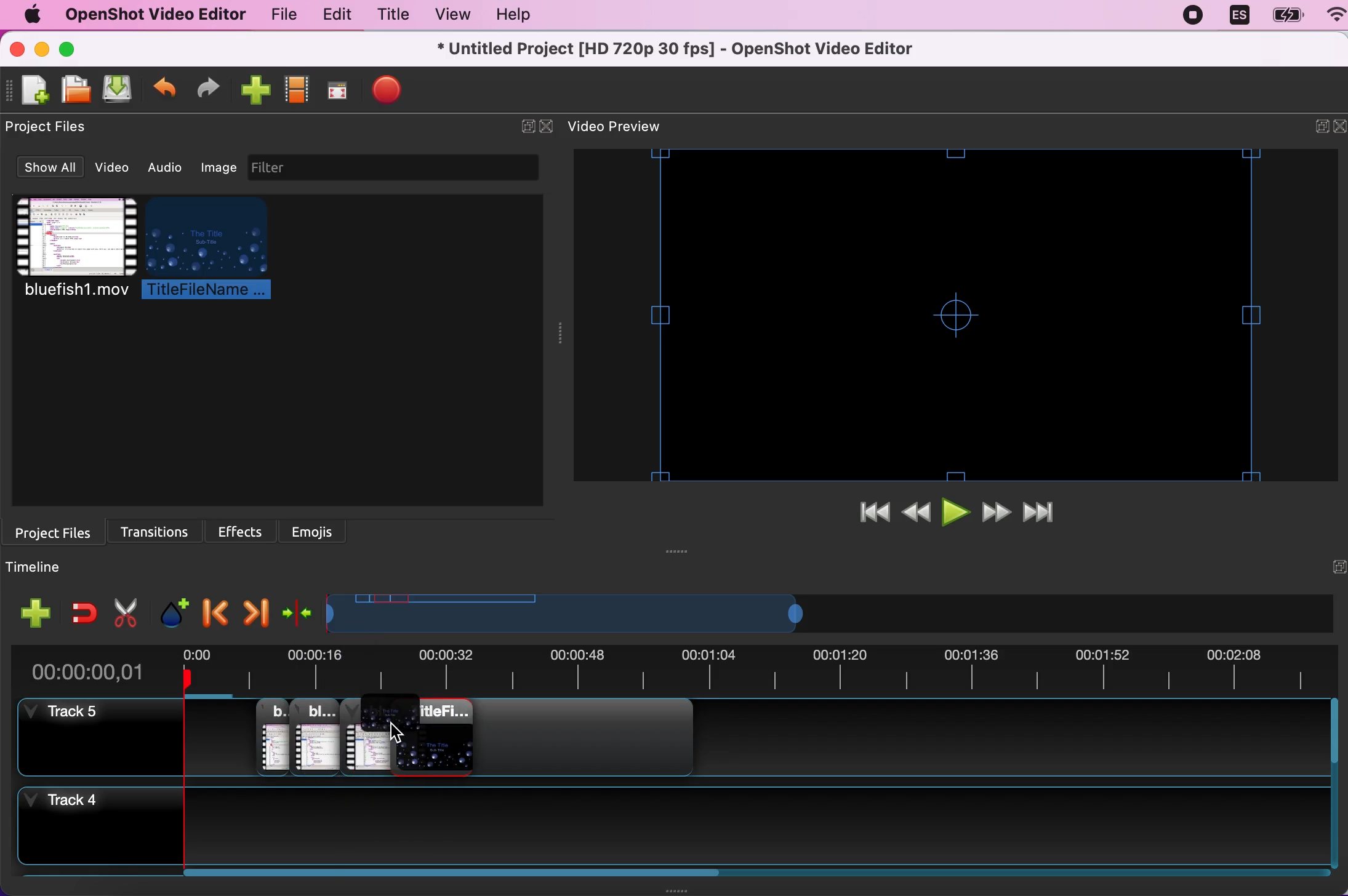 The height and width of the screenshot is (896, 1348). Describe the element at coordinates (1283, 16) in the screenshot. I see `battery` at that location.